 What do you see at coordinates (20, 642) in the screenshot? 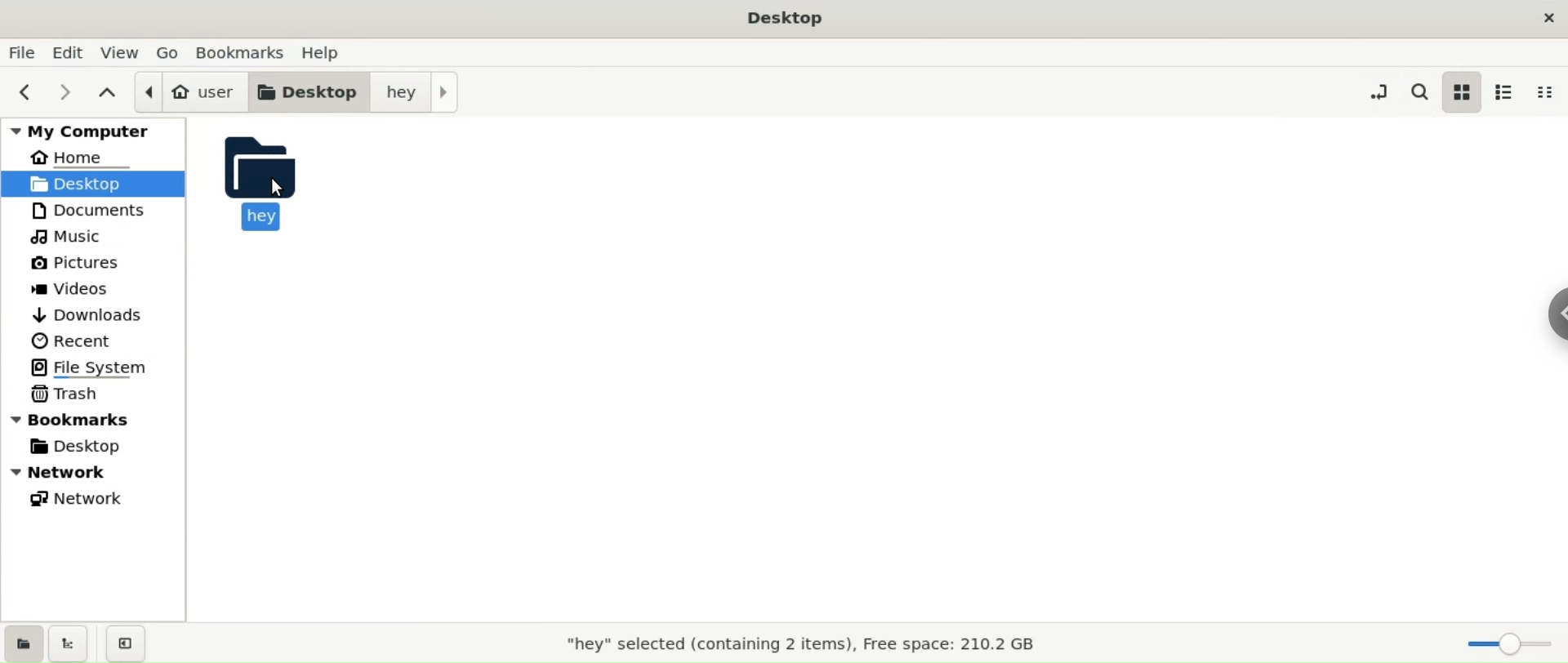
I see `show places` at bounding box center [20, 642].